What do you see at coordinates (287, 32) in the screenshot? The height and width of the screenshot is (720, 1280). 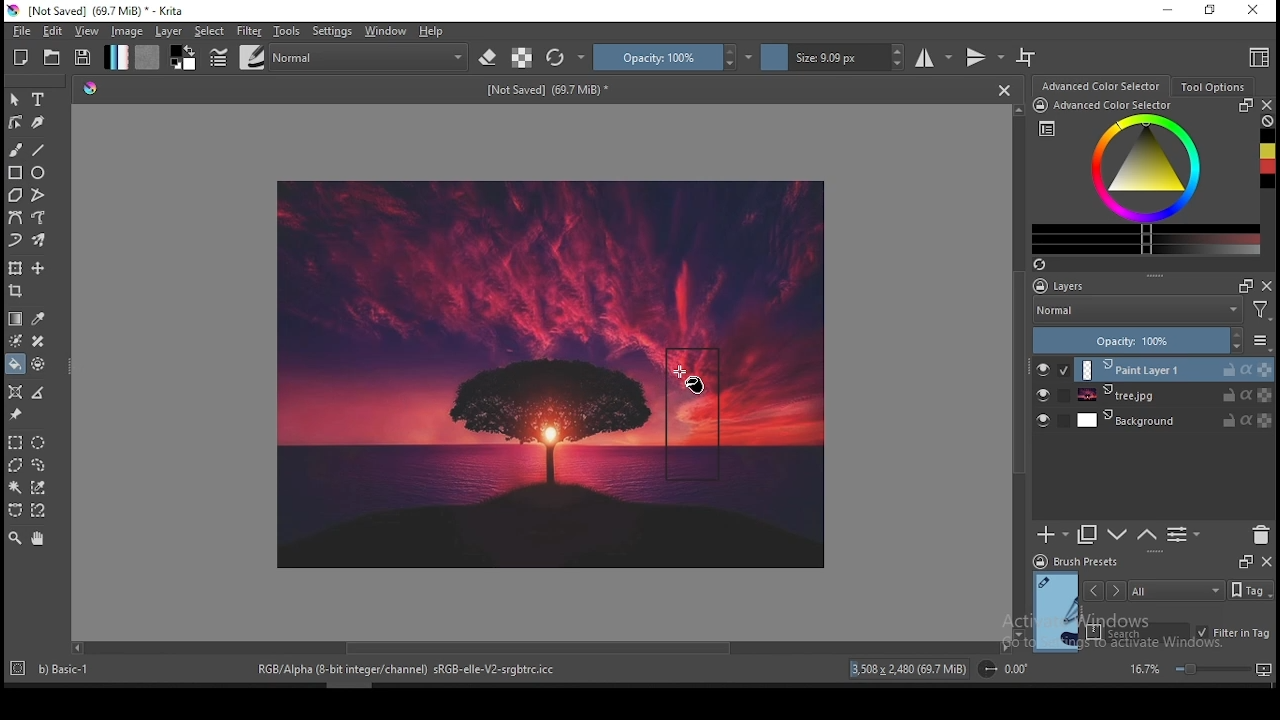 I see `tools` at bounding box center [287, 32].